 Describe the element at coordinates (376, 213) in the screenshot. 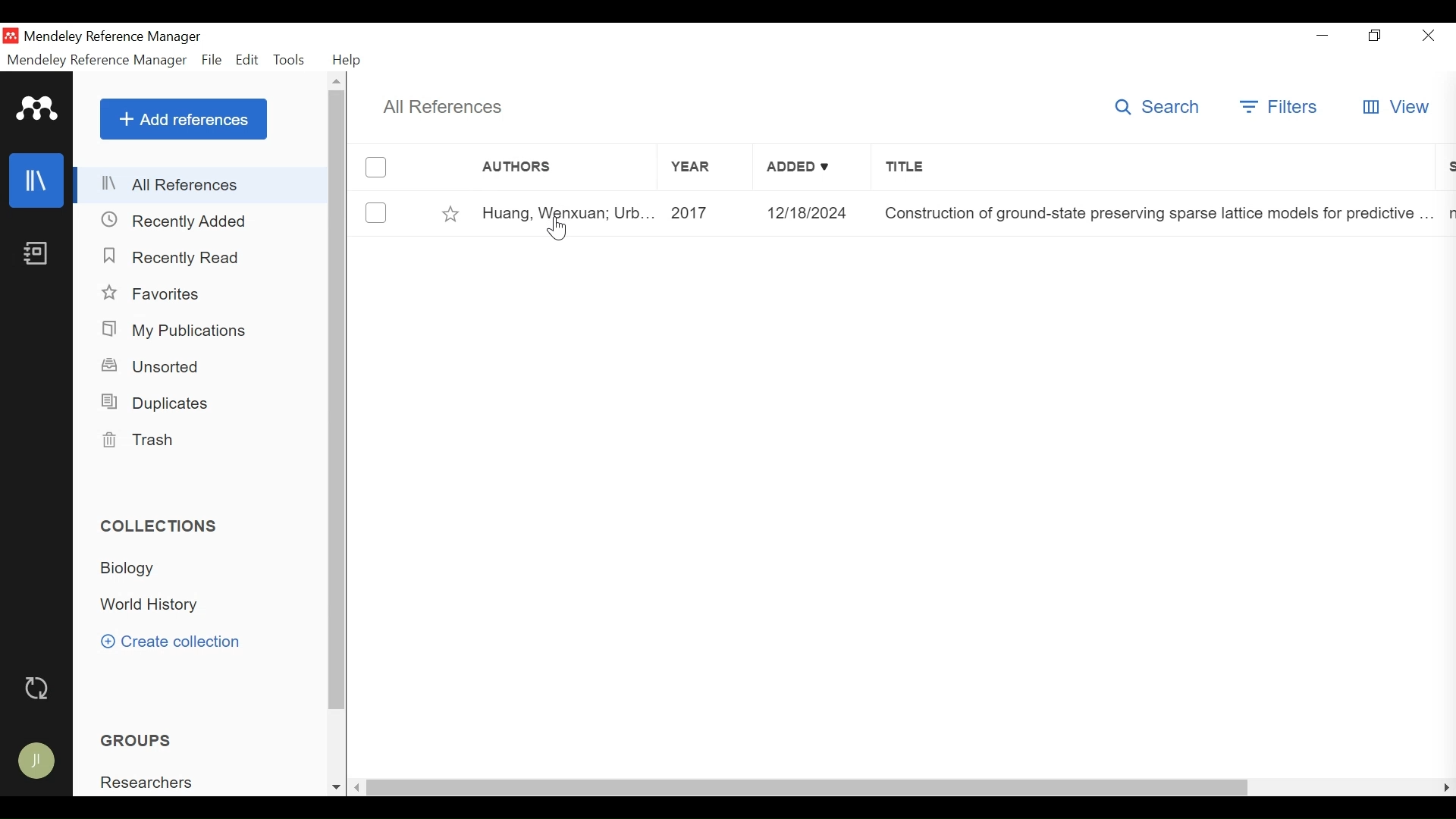

I see `(un)select` at that location.